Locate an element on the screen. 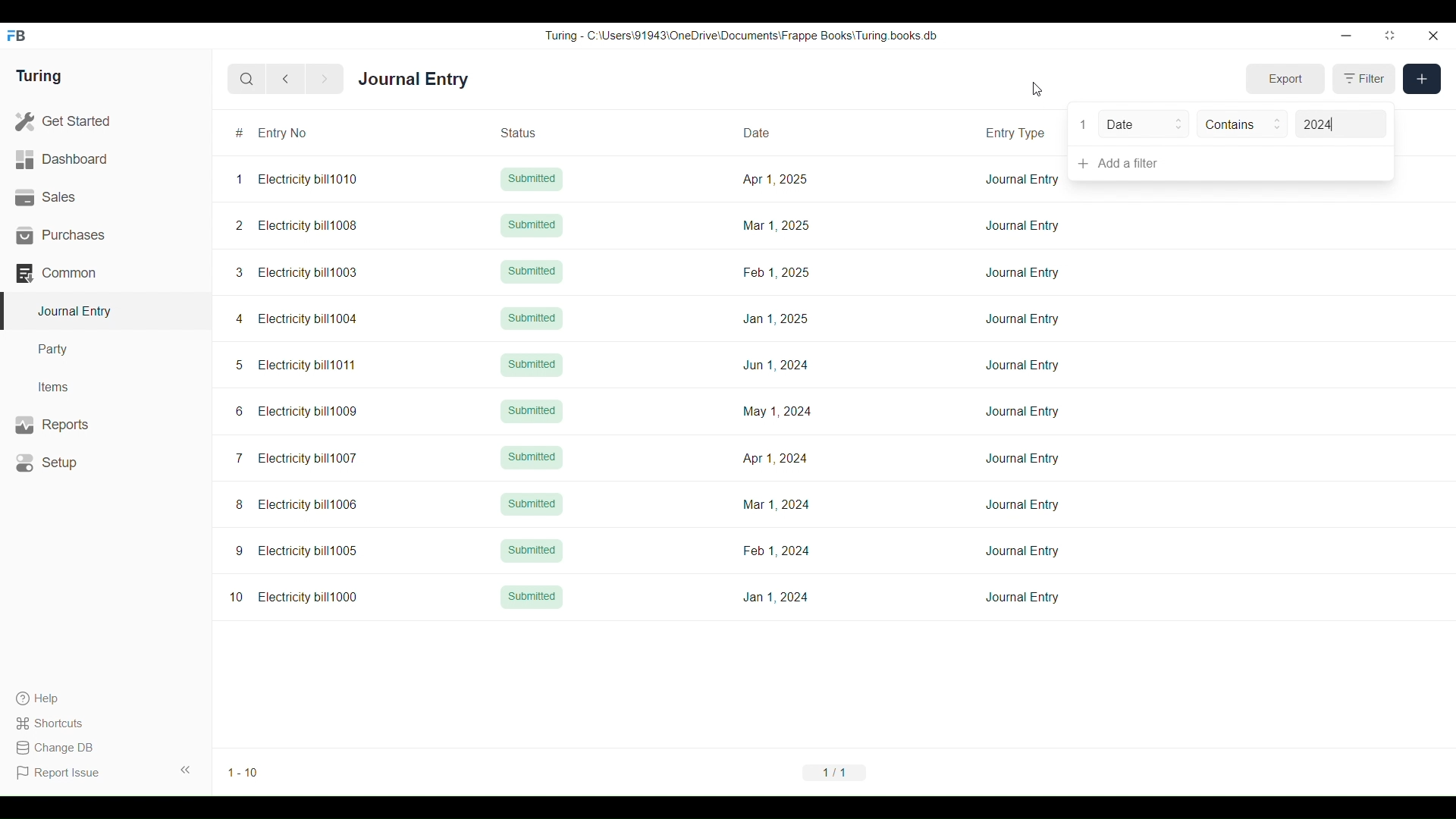  Mar 1, 2025 is located at coordinates (774, 225).